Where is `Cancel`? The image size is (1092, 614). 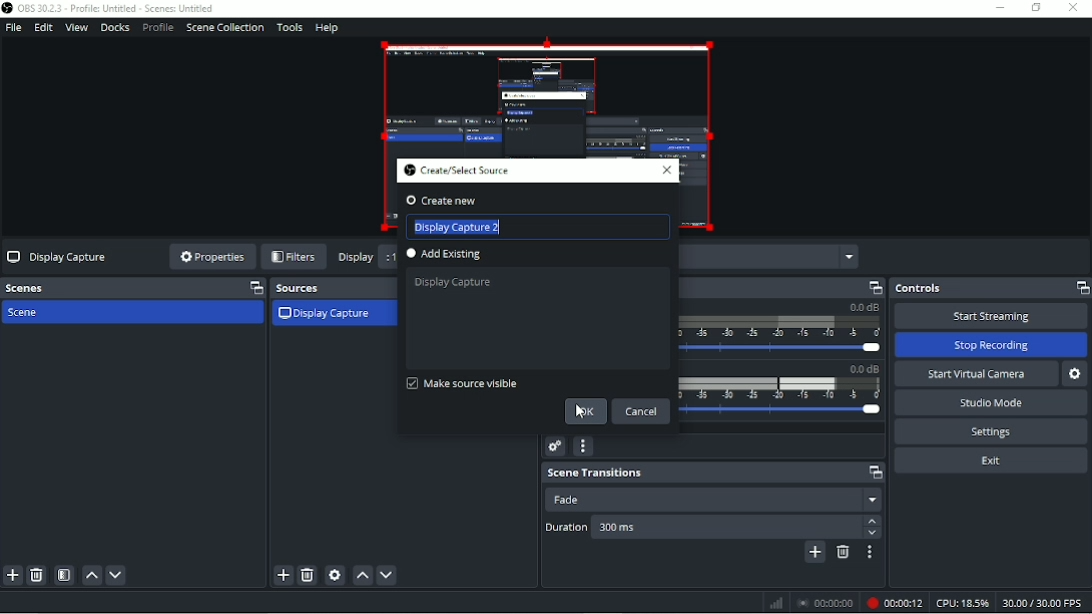
Cancel is located at coordinates (644, 412).